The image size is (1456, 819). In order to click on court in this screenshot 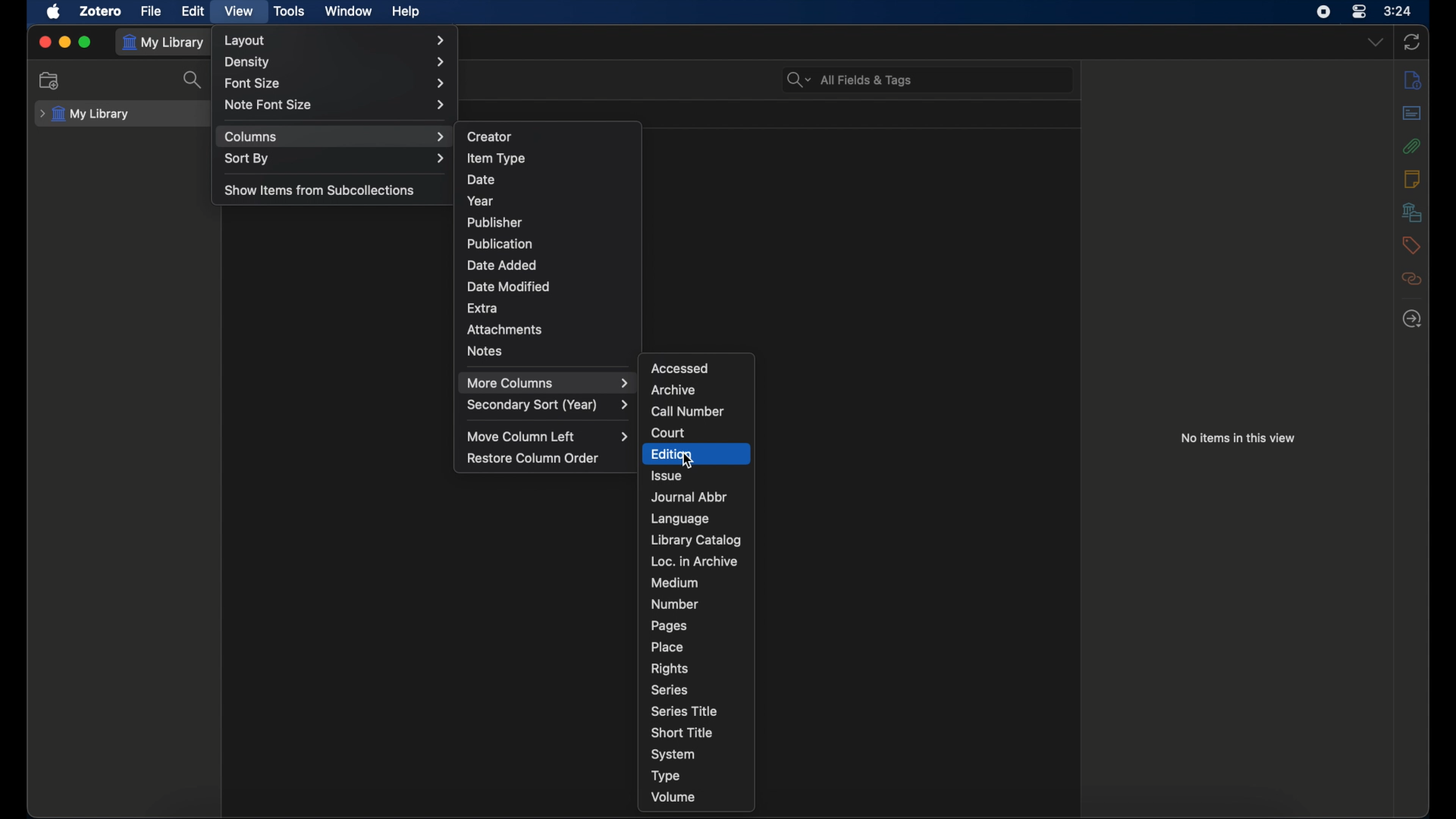, I will do `click(668, 432)`.